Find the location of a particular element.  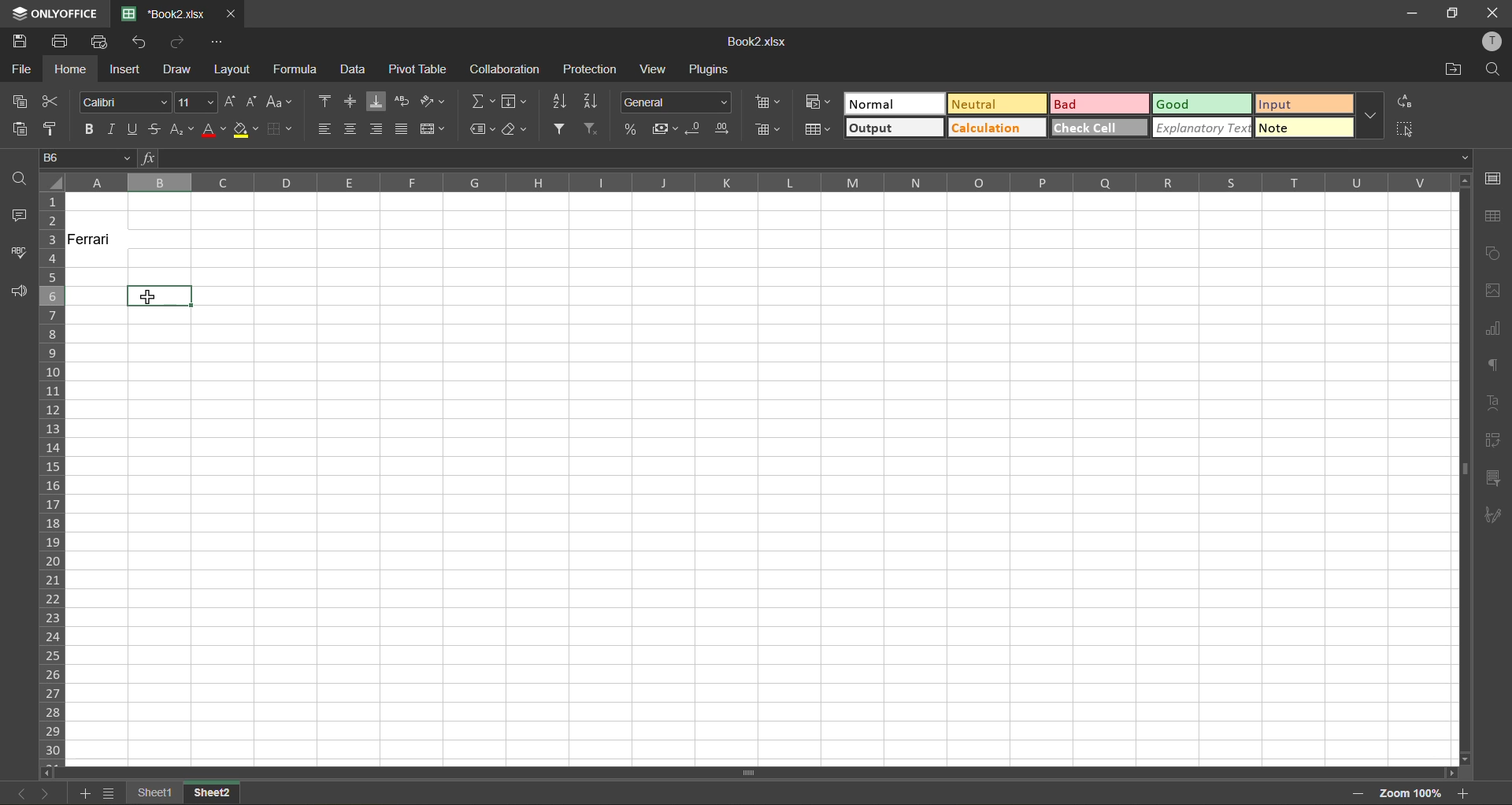

cell settings is located at coordinates (1491, 180).